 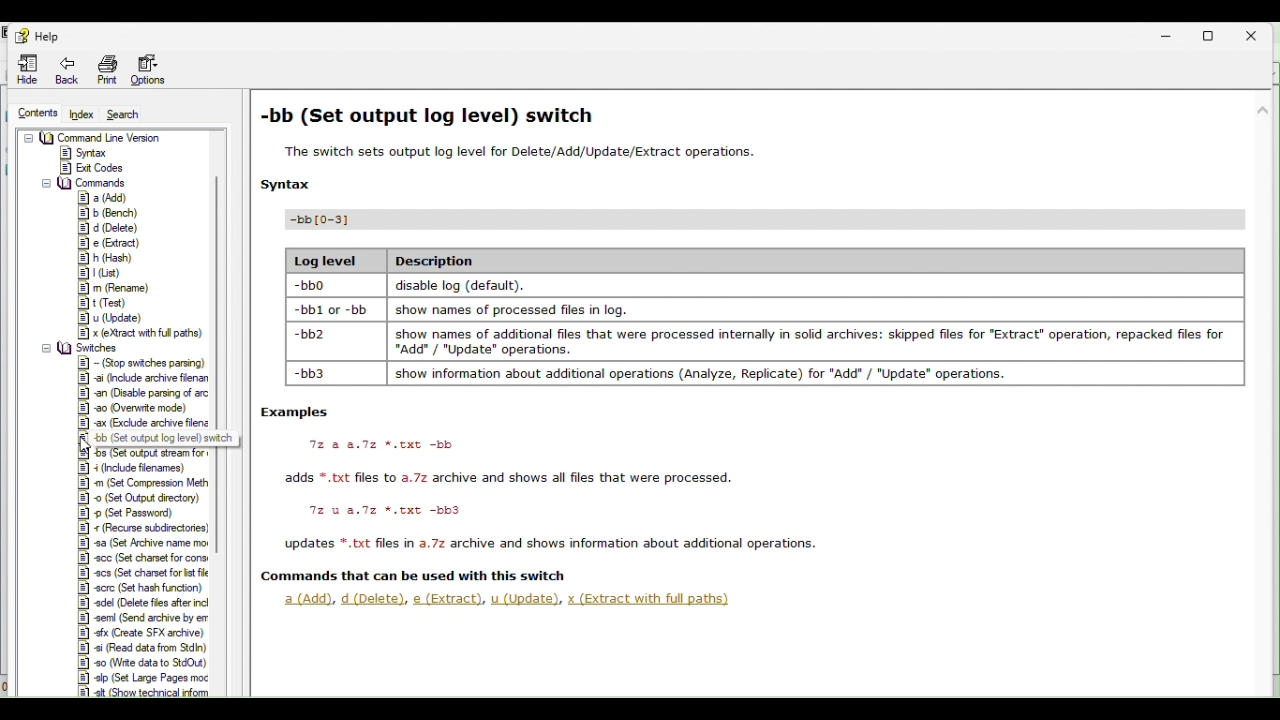 What do you see at coordinates (136, 513) in the screenshot?
I see `5) p (Set Password)` at bounding box center [136, 513].